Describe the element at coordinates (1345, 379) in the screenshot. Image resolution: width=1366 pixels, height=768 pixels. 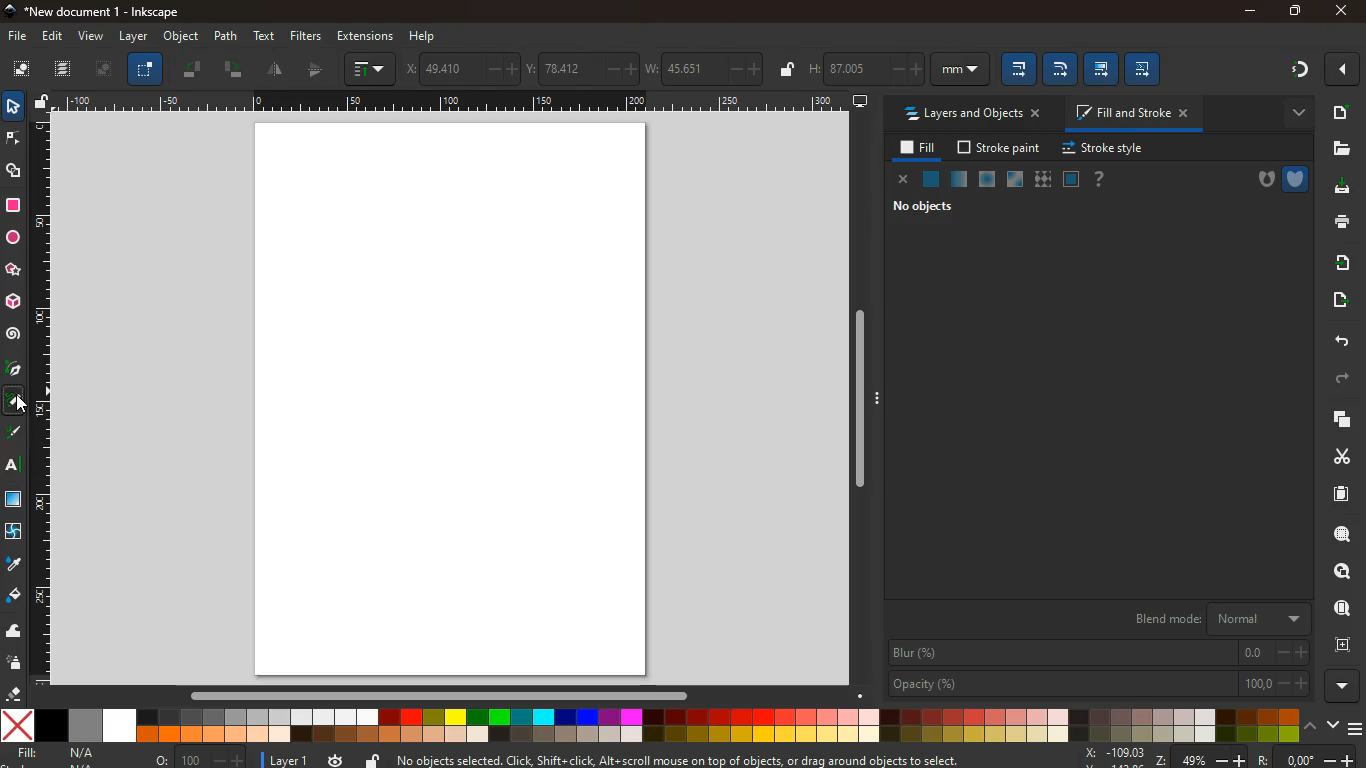
I see `forward` at that location.